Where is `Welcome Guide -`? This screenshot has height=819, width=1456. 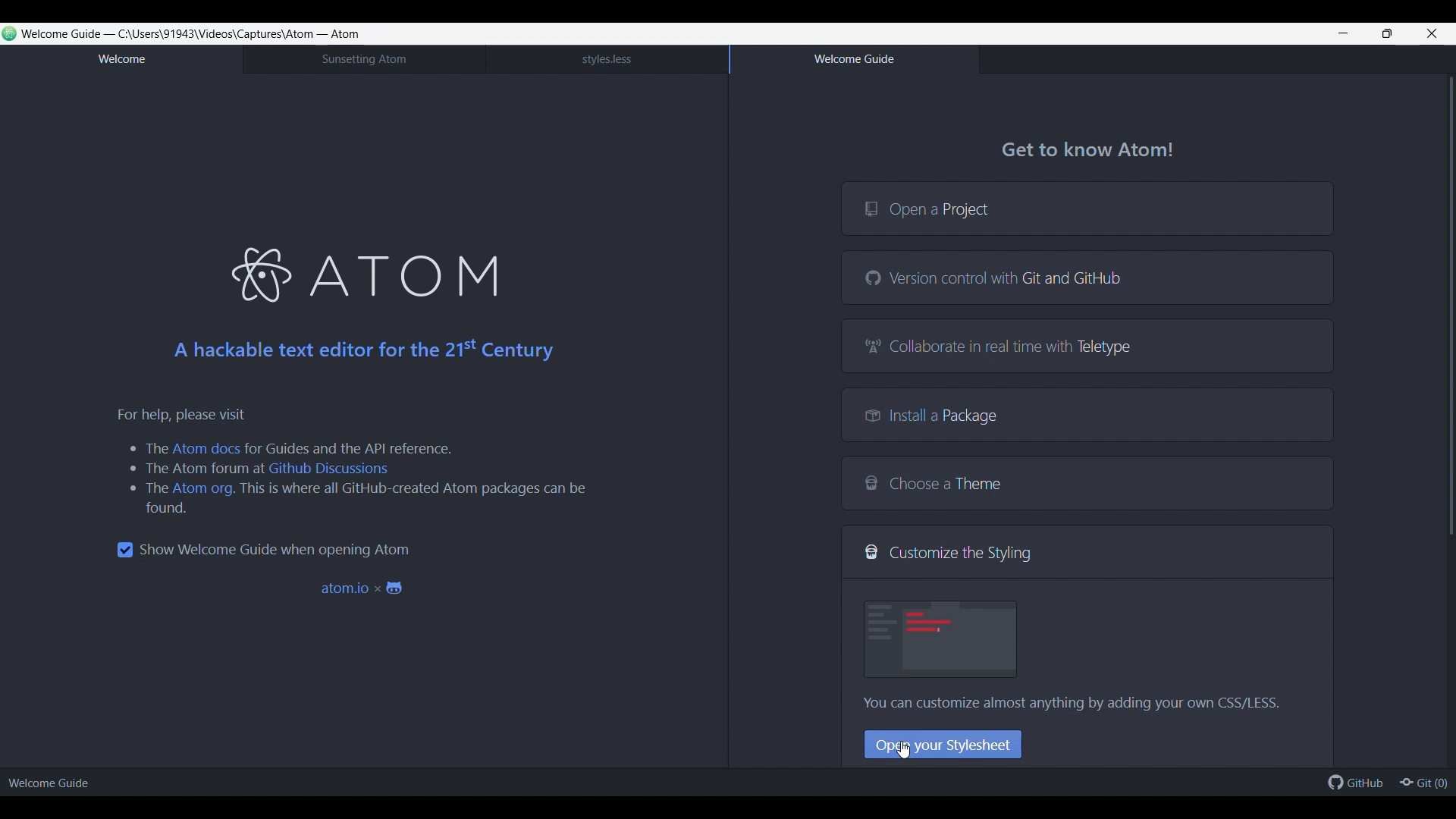
Welcome Guide - is located at coordinates (67, 33).